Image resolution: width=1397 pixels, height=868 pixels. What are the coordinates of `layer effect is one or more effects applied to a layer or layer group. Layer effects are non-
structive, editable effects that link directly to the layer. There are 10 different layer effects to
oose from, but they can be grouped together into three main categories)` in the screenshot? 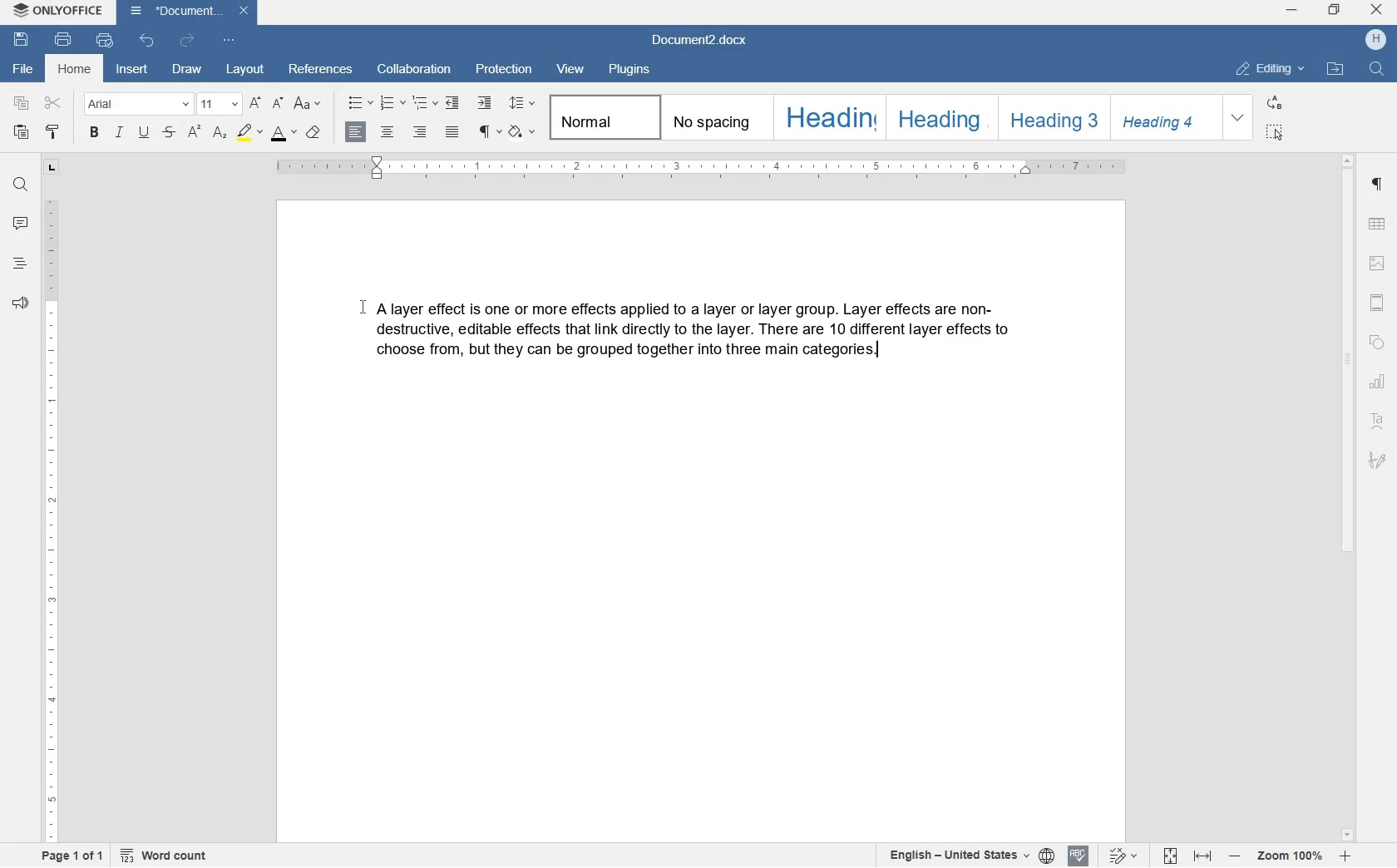 It's located at (702, 333).